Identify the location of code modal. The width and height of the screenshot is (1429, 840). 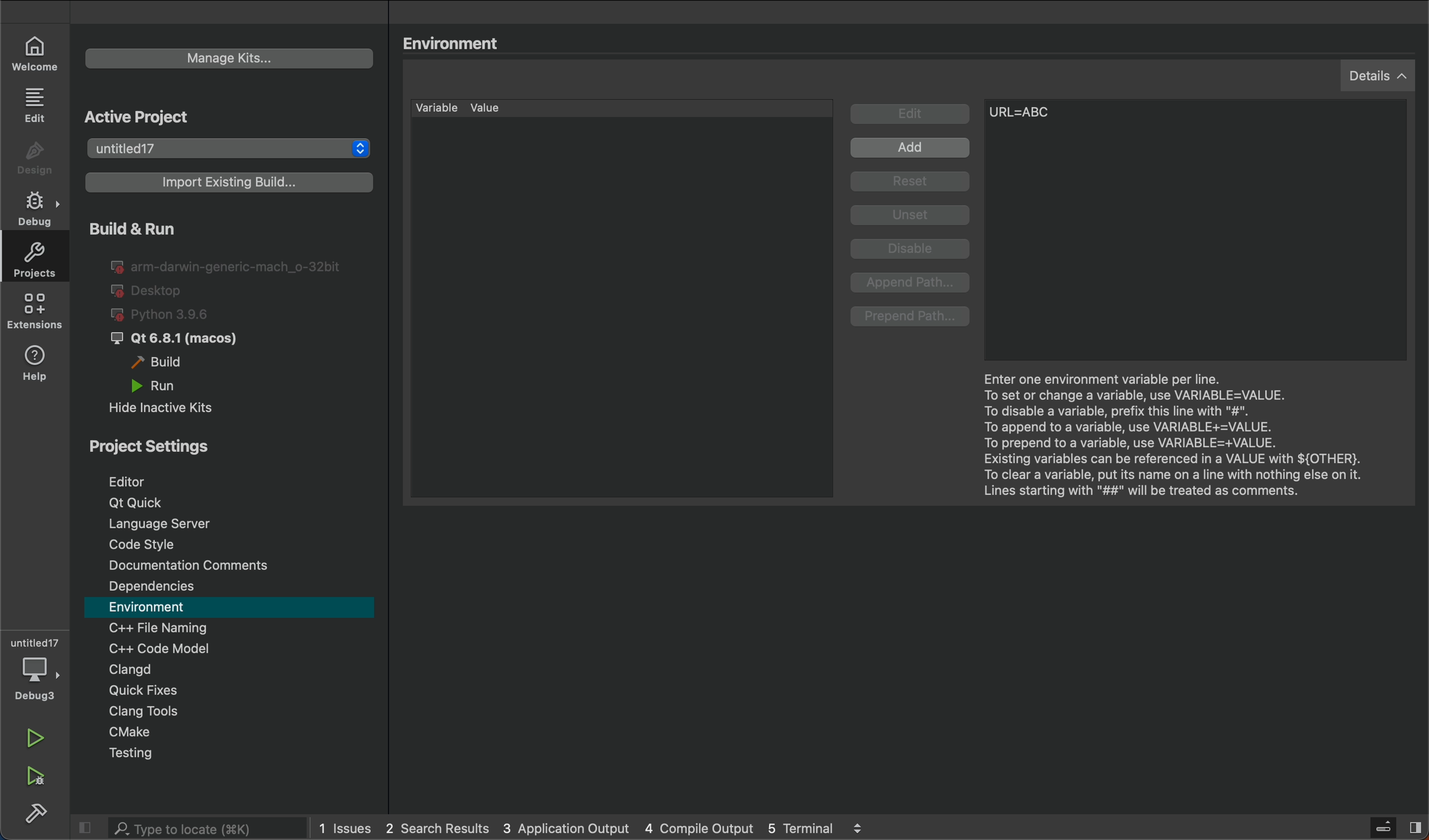
(232, 648).